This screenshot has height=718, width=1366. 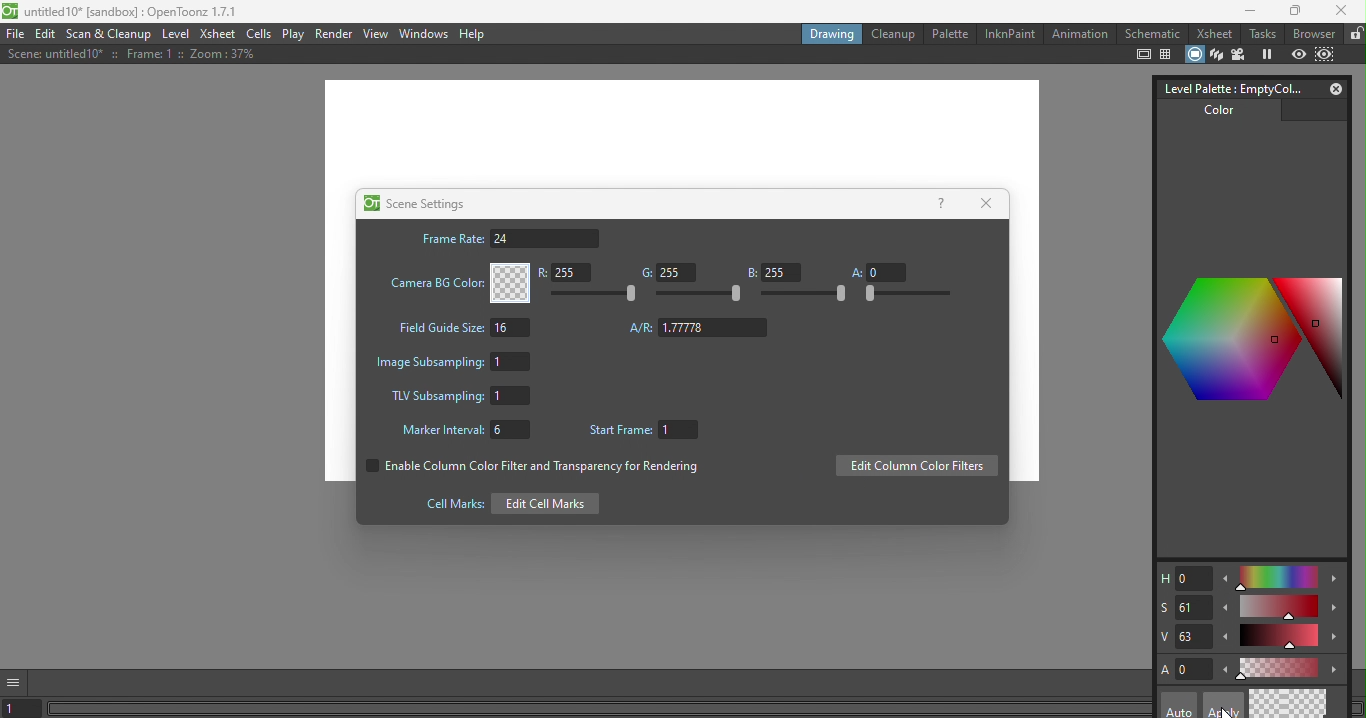 I want to click on Sub-camera preview, so click(x=1326, y=53).